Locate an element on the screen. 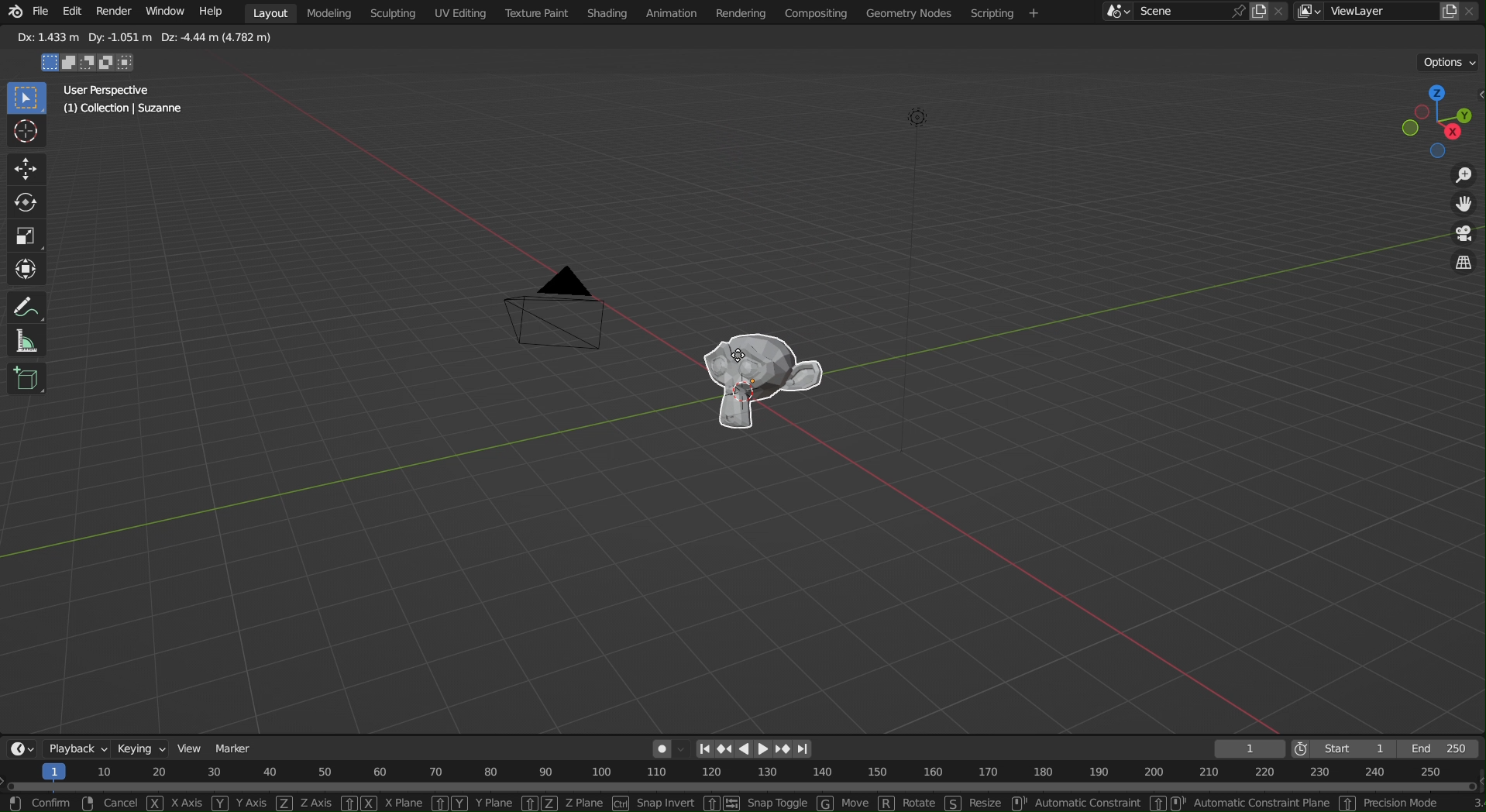 The width and height of the screenshot is (1486, 812). shift and Y is located at coordinates (449, 803).